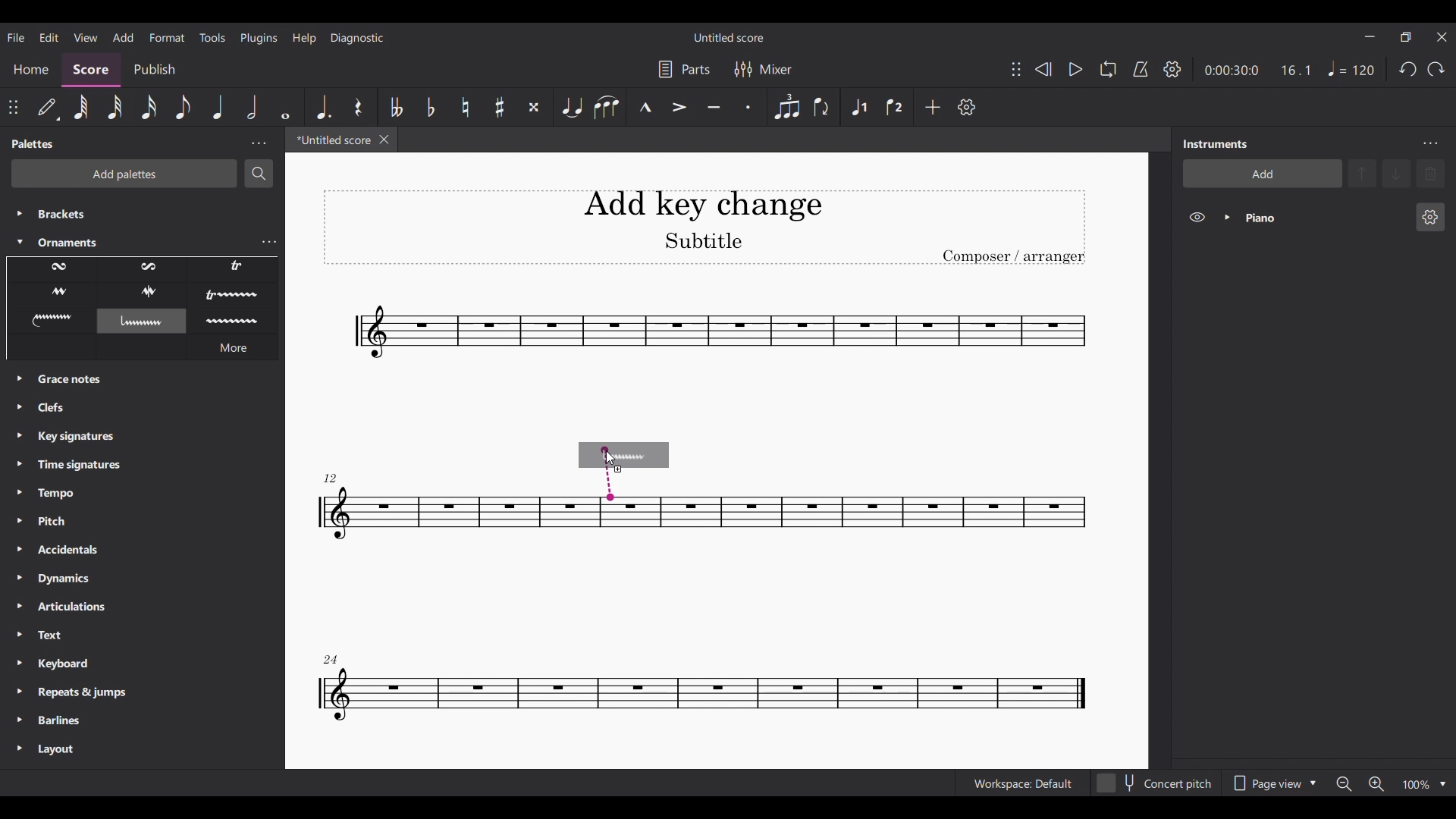  What do you see at coordinates (606, 106) in the screenshot?
I see `Slur` at bounding box center [606, 106].